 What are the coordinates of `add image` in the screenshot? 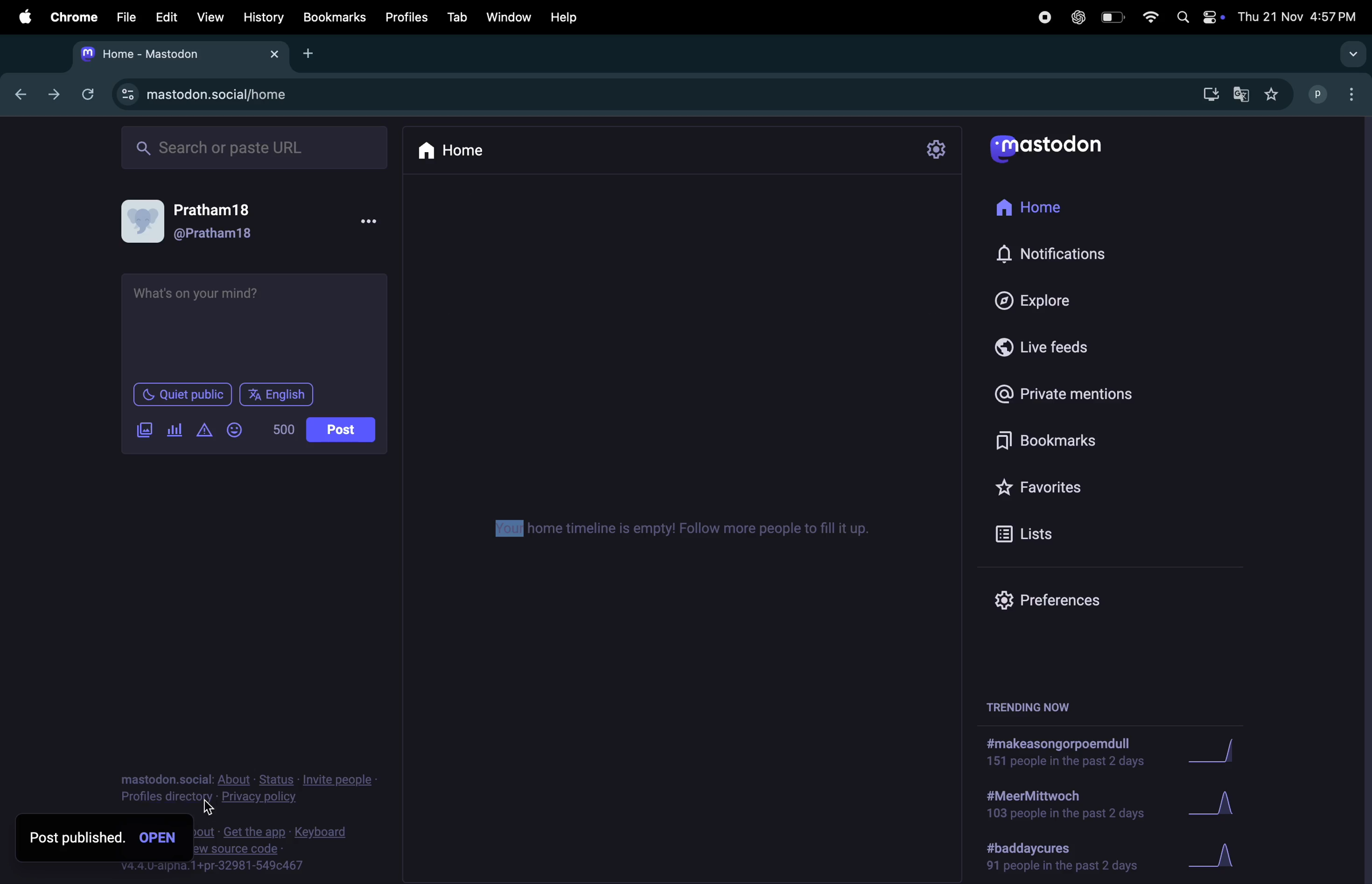 It's located at (148, 431).